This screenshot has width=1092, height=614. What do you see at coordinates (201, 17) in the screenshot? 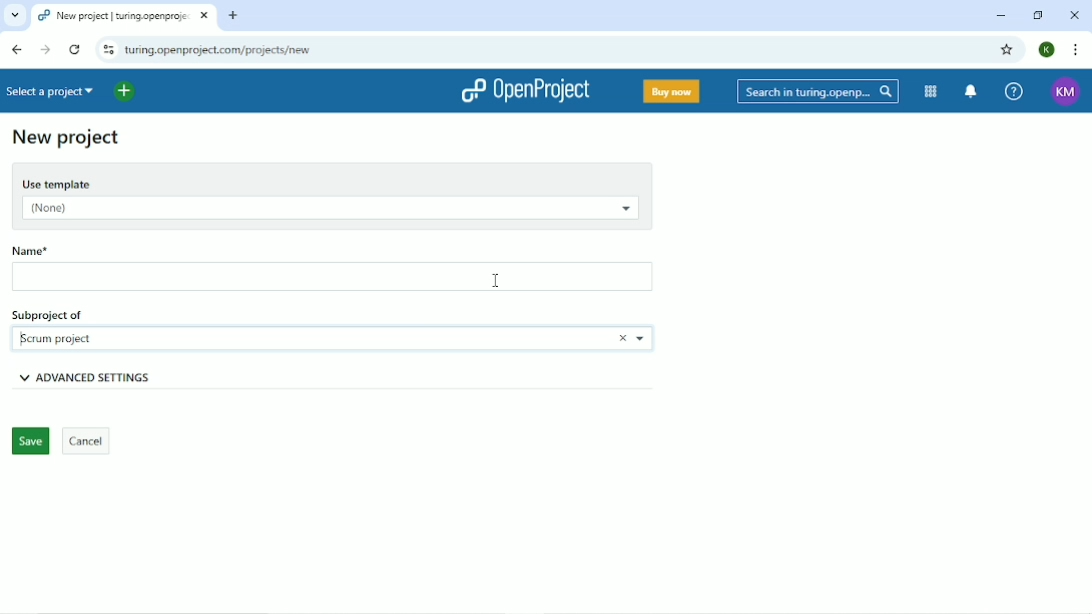
I see `close` at bounding box center [201, 17].